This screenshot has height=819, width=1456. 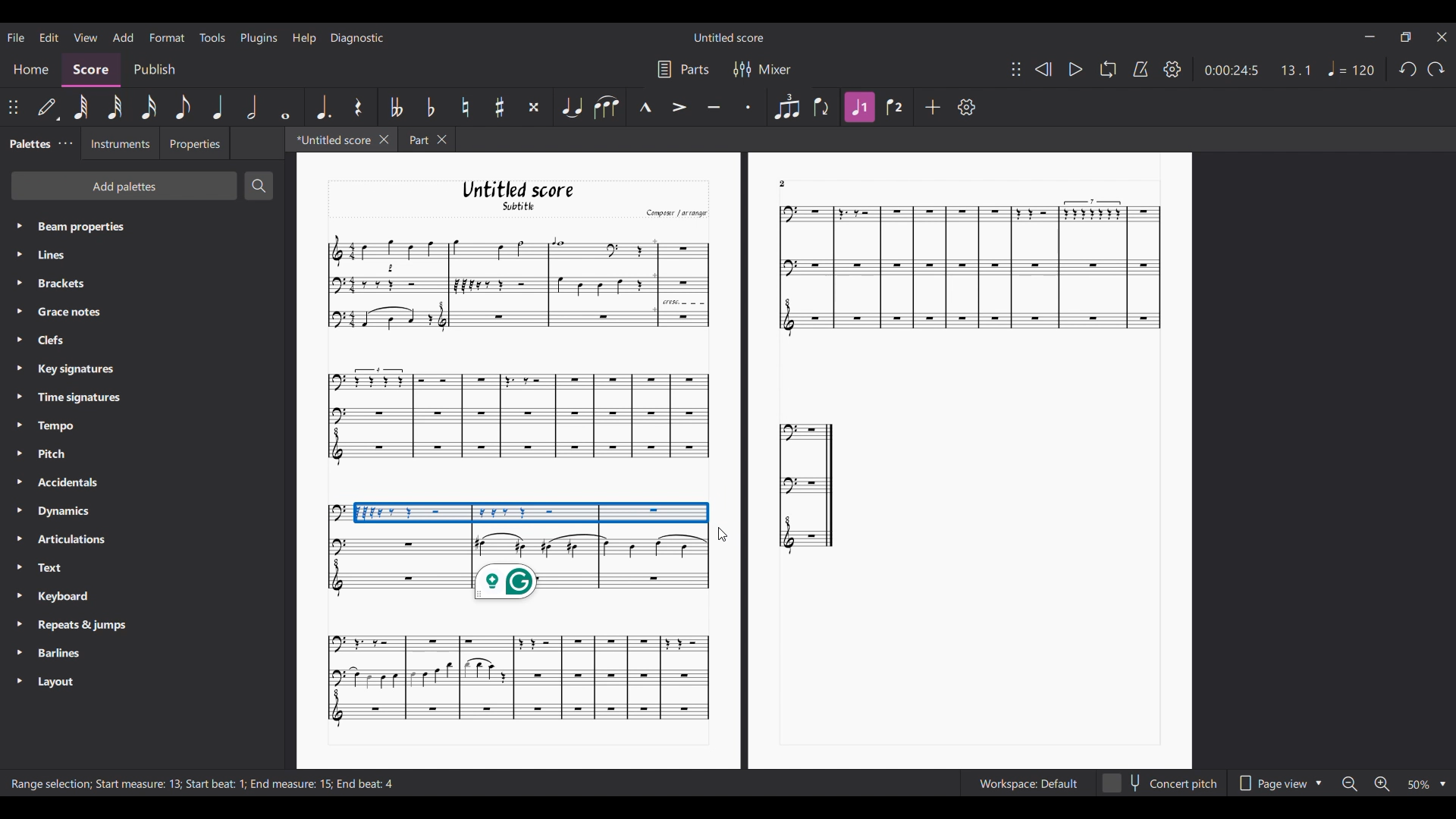 What do you see at coordinates (808, 486) in the screenshot?
I see `Graph` at bounding box center [808, 486].